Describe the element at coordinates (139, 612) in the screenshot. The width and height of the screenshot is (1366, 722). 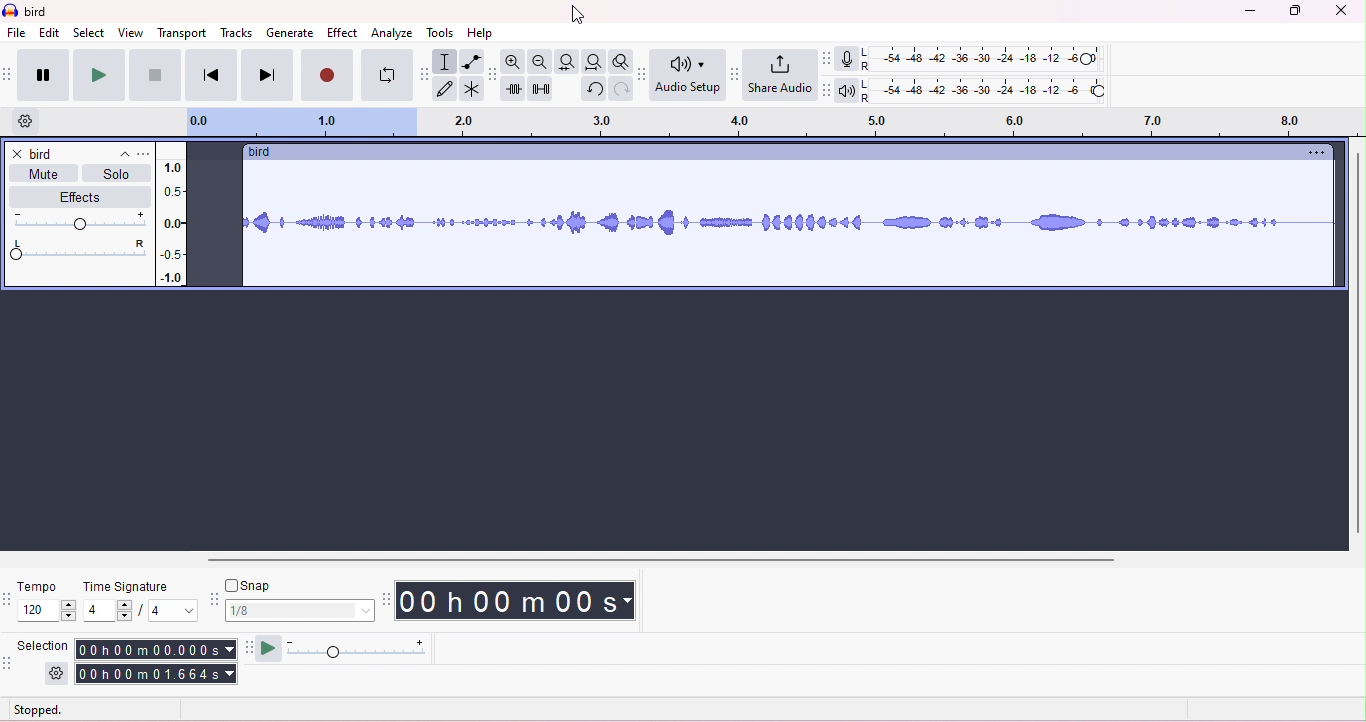
I see `select time signature` at that location.